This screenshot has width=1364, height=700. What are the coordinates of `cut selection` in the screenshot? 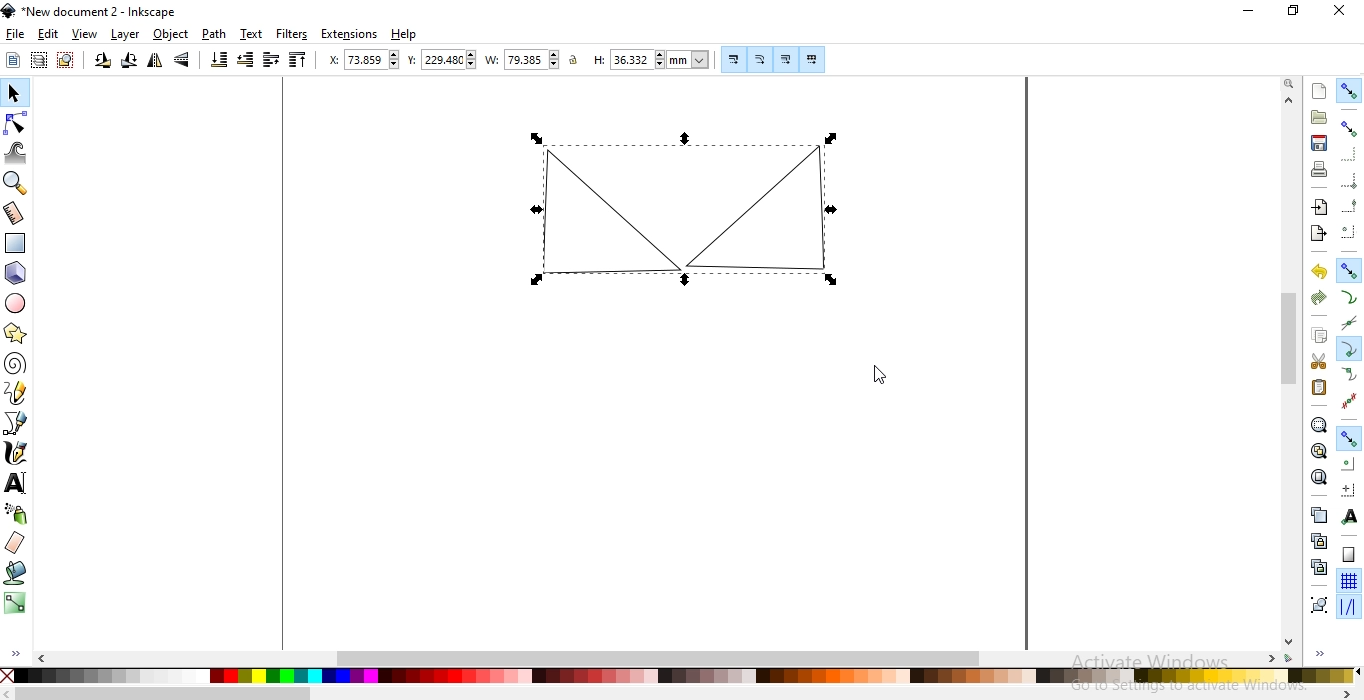 It's located at (1314, 361).